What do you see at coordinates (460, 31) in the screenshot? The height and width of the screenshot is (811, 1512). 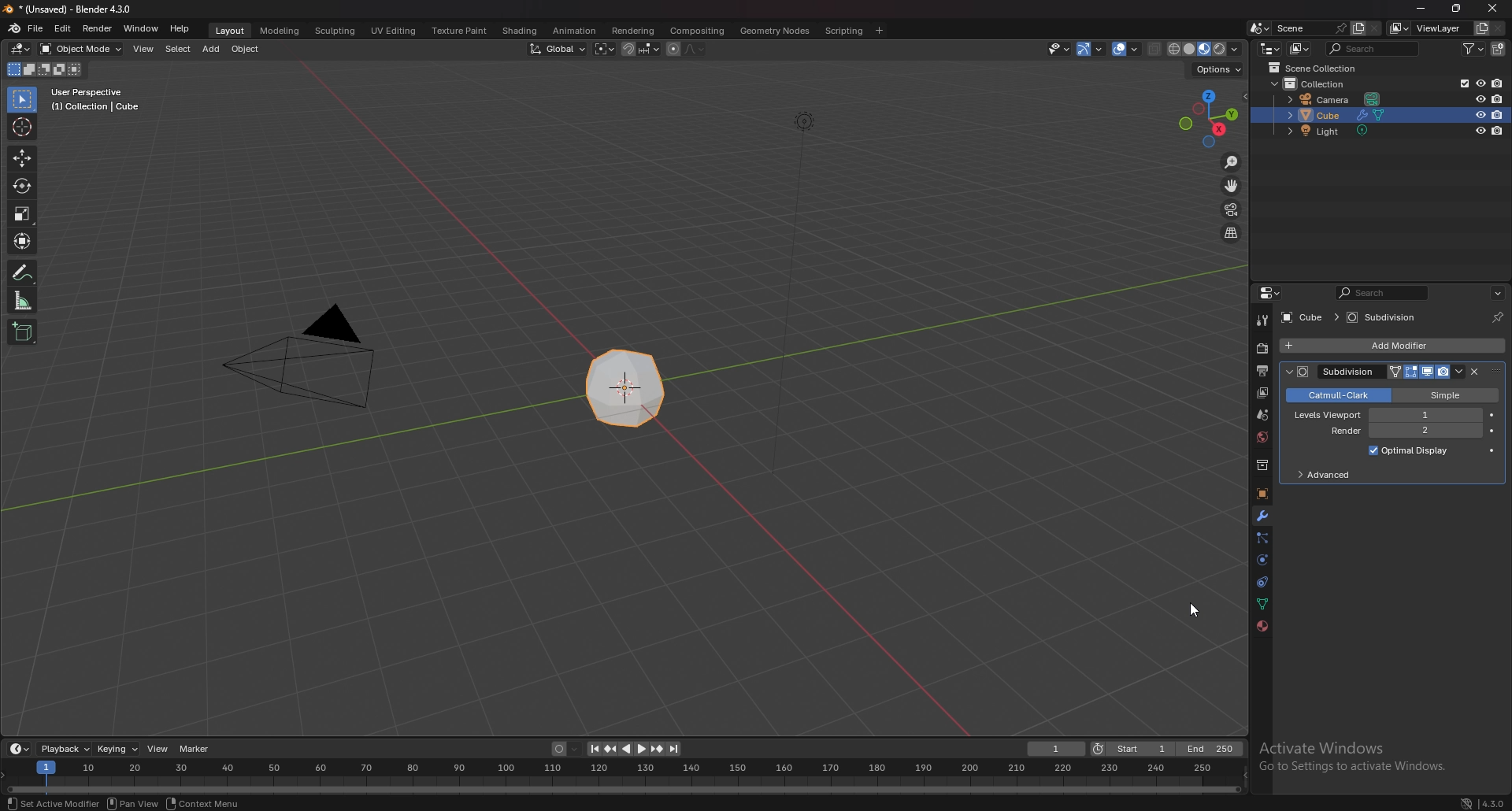 I see `texture paint` at bounding box center [460, 31].